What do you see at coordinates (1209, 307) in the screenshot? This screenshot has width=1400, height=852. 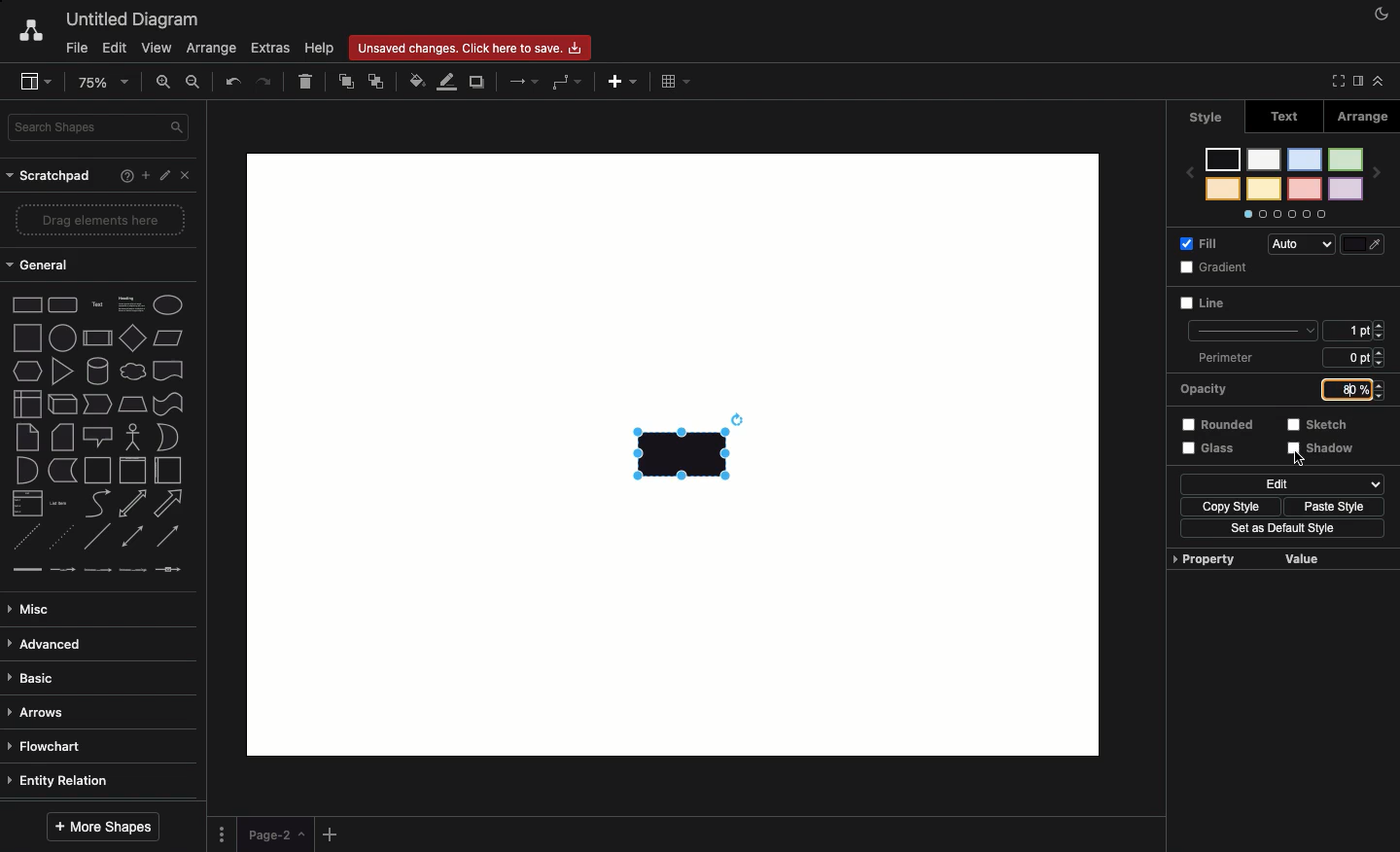 I see `Line` at bounding box center [1209, 307].